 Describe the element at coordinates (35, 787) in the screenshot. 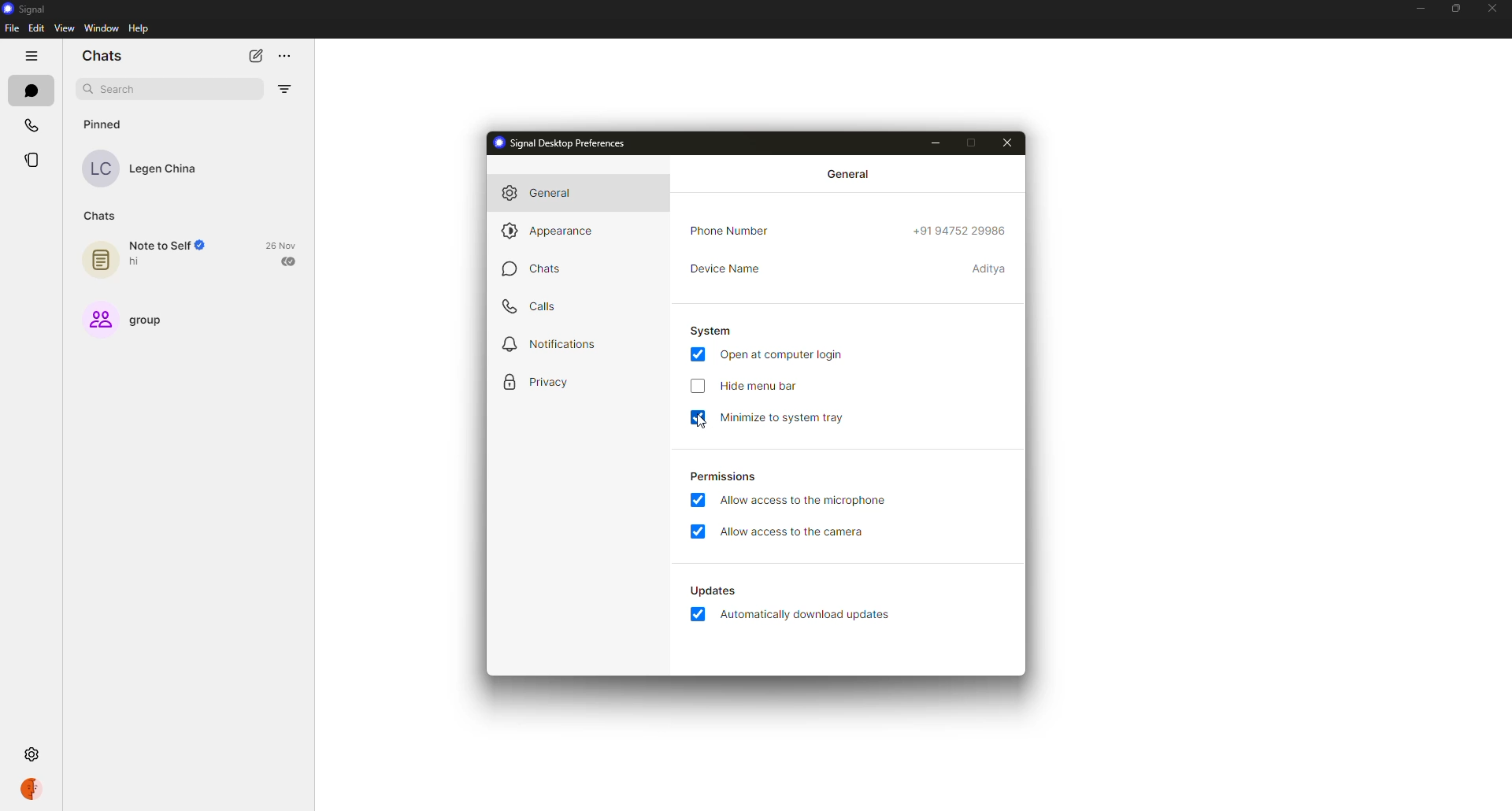

I see `profile` at that location.